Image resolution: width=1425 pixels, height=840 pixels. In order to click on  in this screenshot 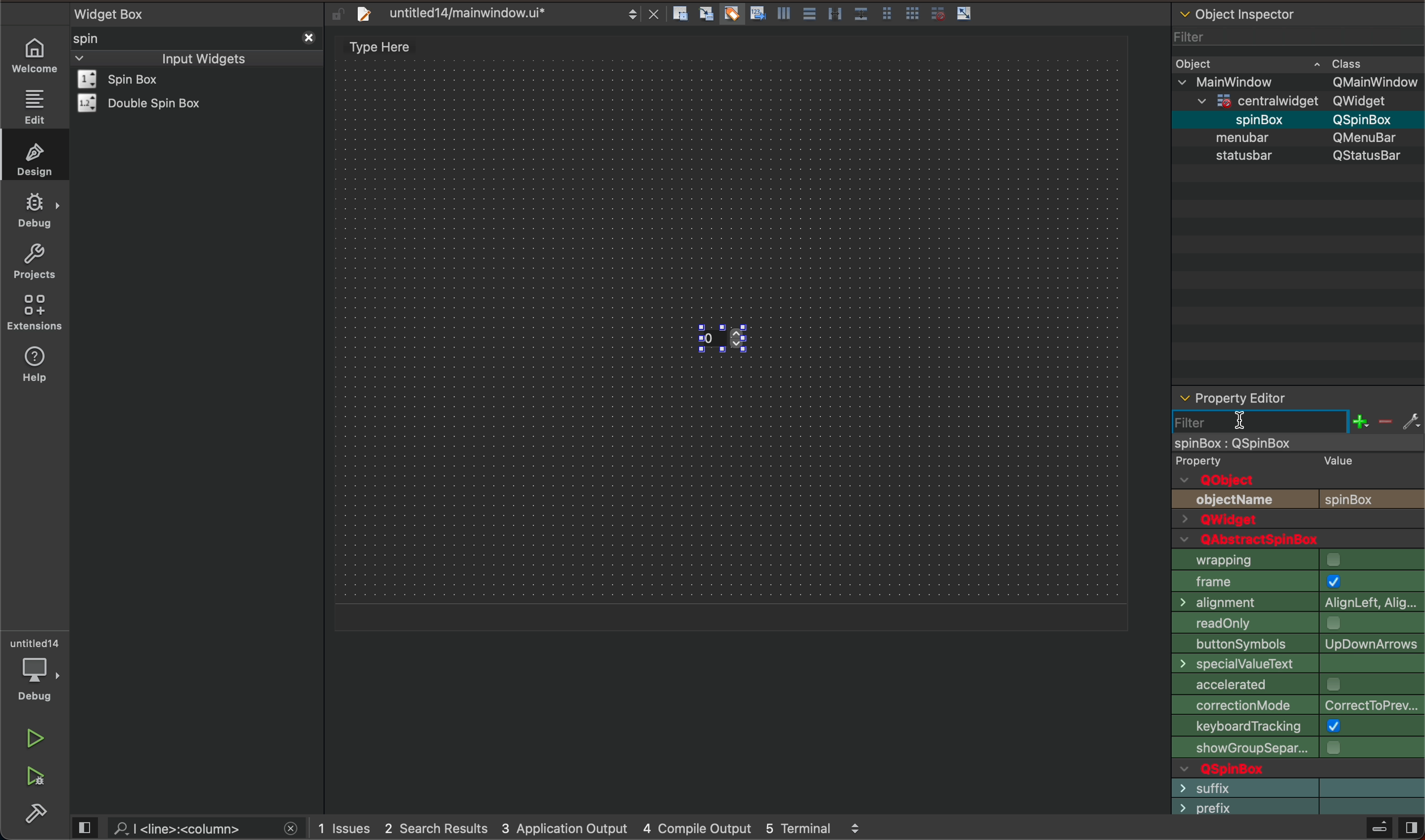, I will do `click(1368, 119)`.